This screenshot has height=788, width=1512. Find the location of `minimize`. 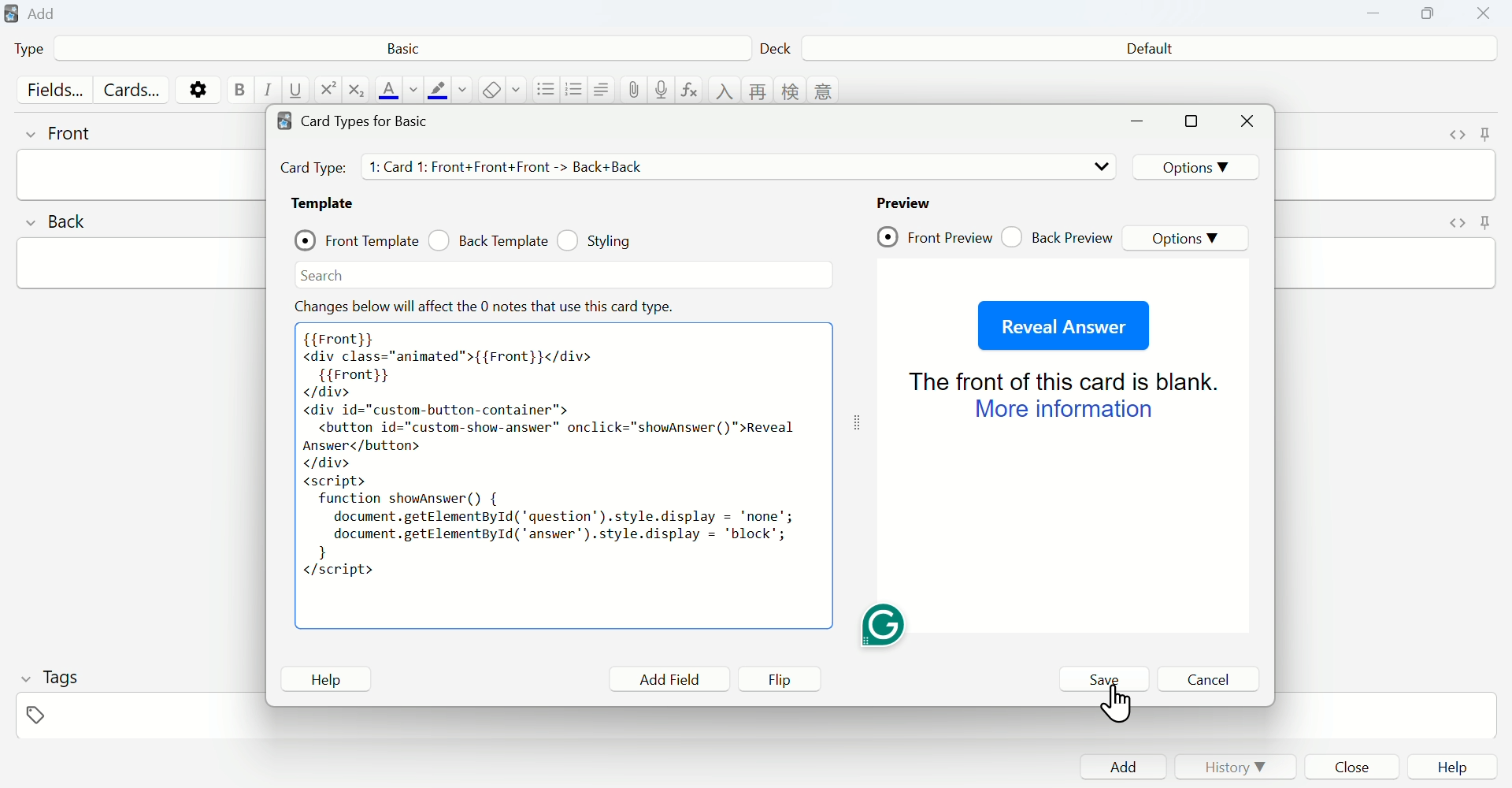

minimize is located at coordinates (1141, 125).